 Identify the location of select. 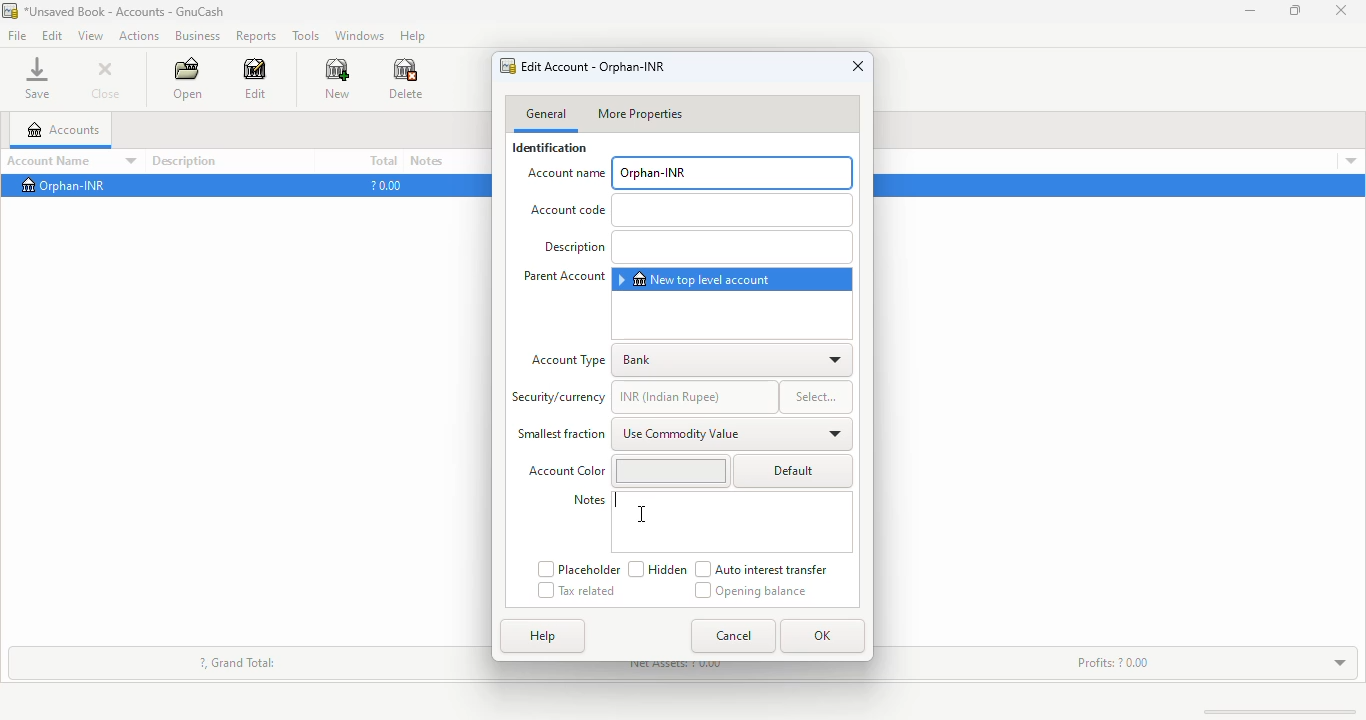
(815, 395).